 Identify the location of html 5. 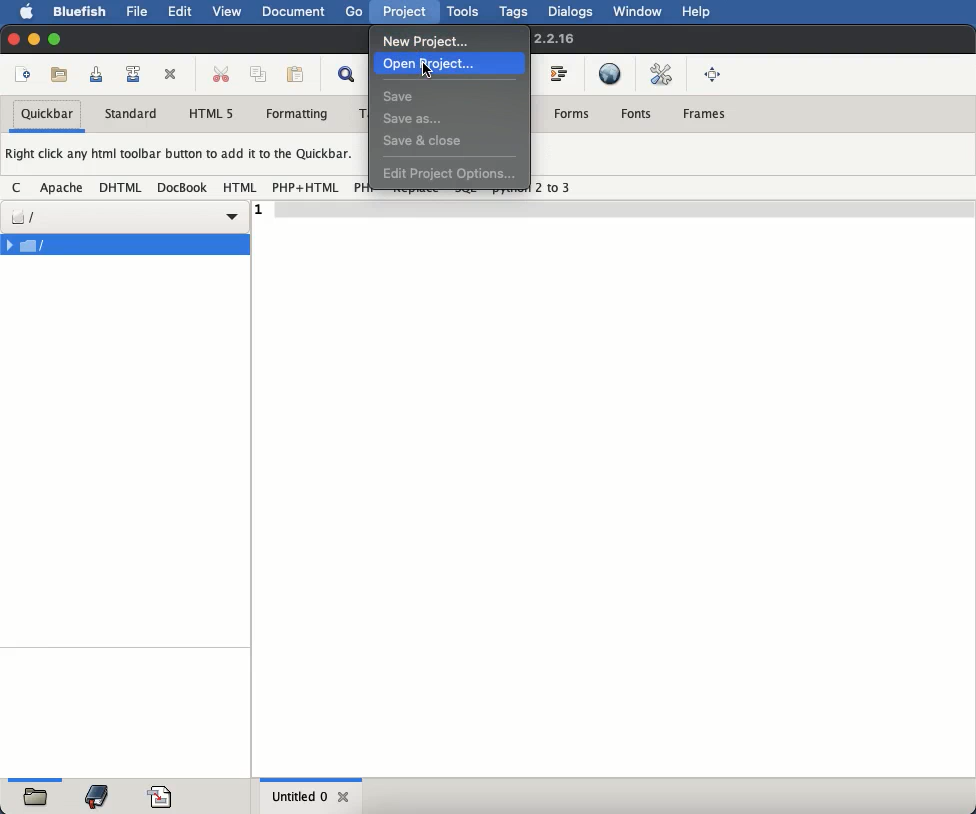
(211, 113).